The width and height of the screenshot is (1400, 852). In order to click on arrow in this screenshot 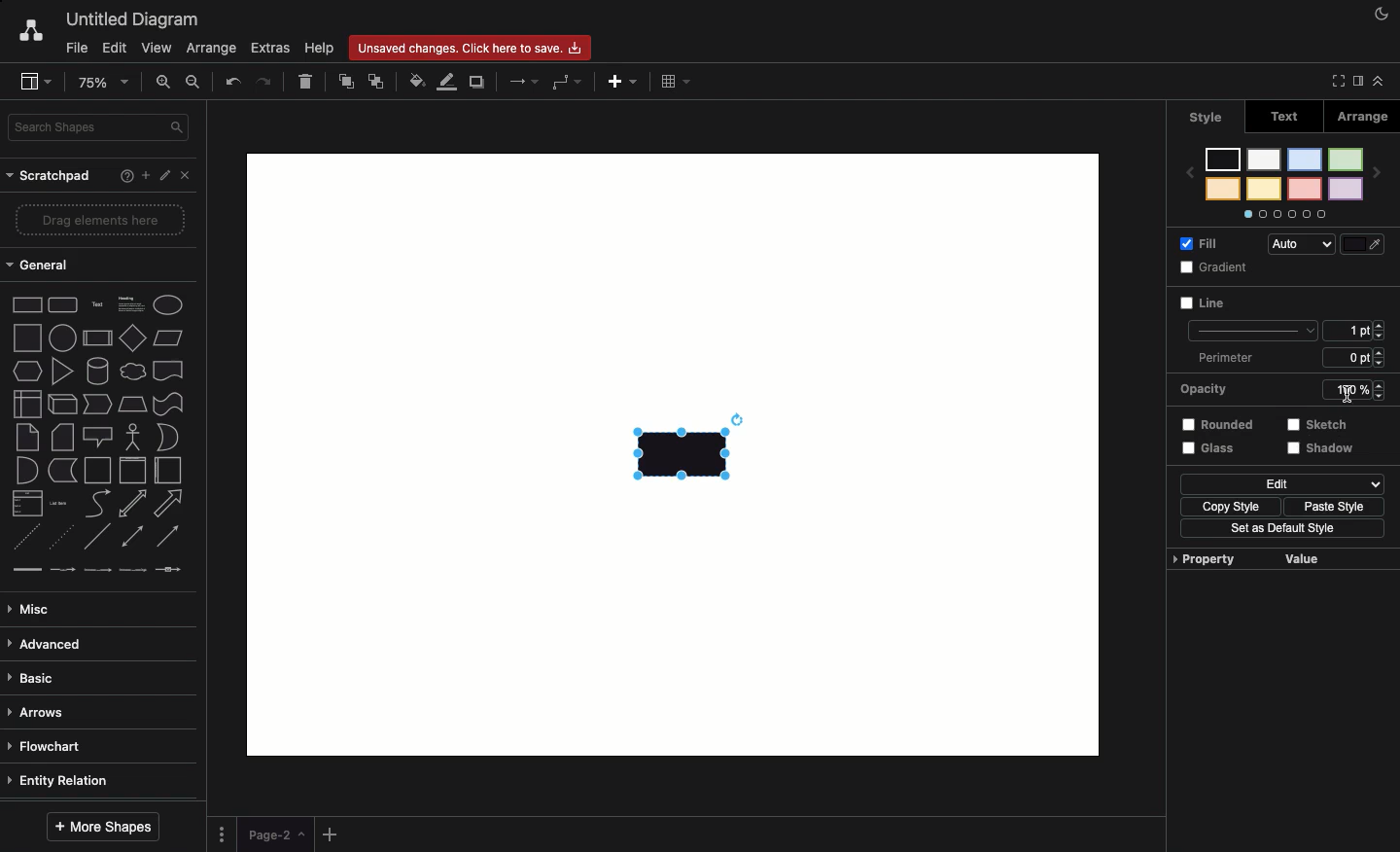, I will do `click(169, 506)`.